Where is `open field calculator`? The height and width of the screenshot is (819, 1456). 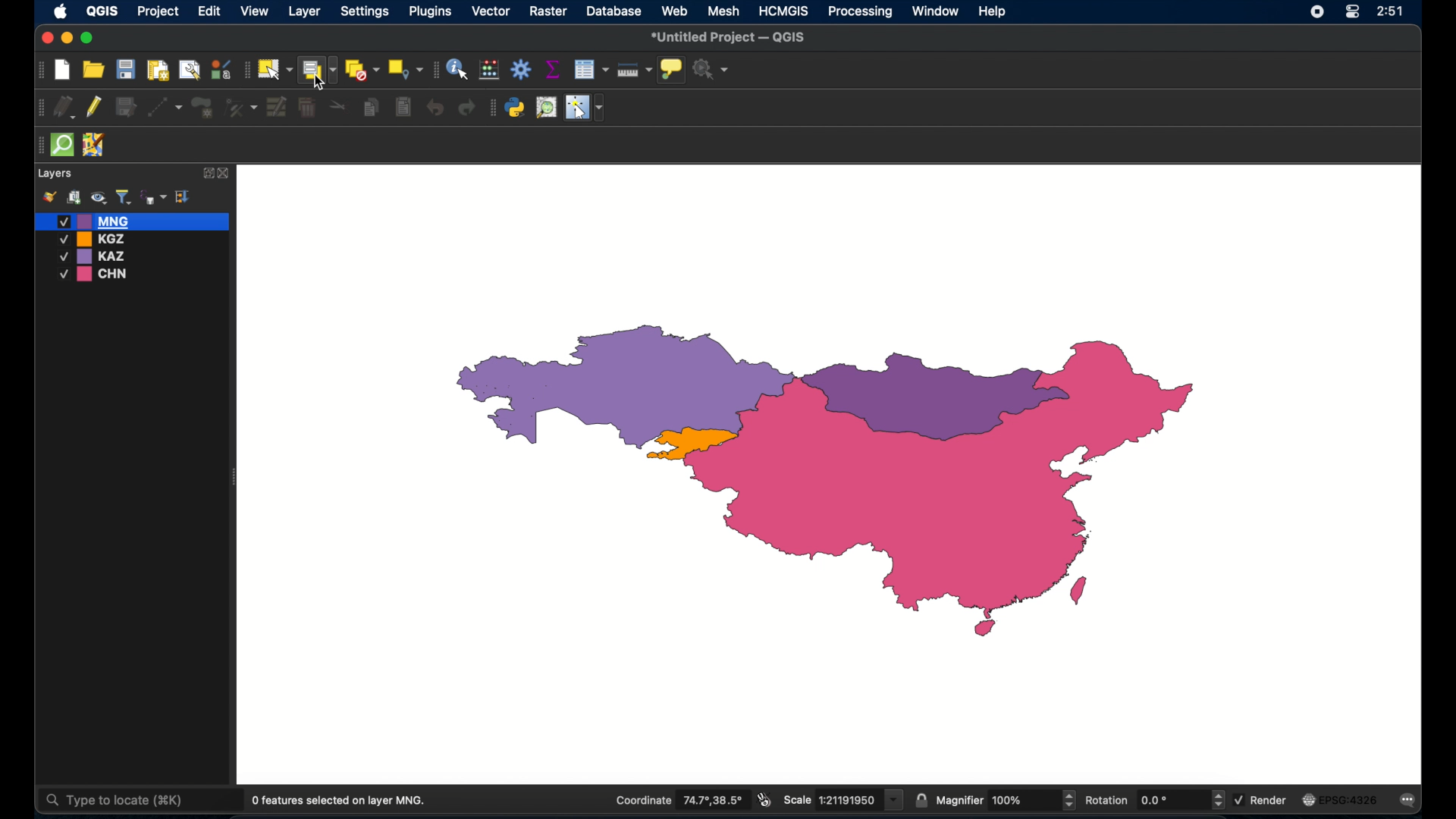
open field calculator is located at coordinates (491, 69).